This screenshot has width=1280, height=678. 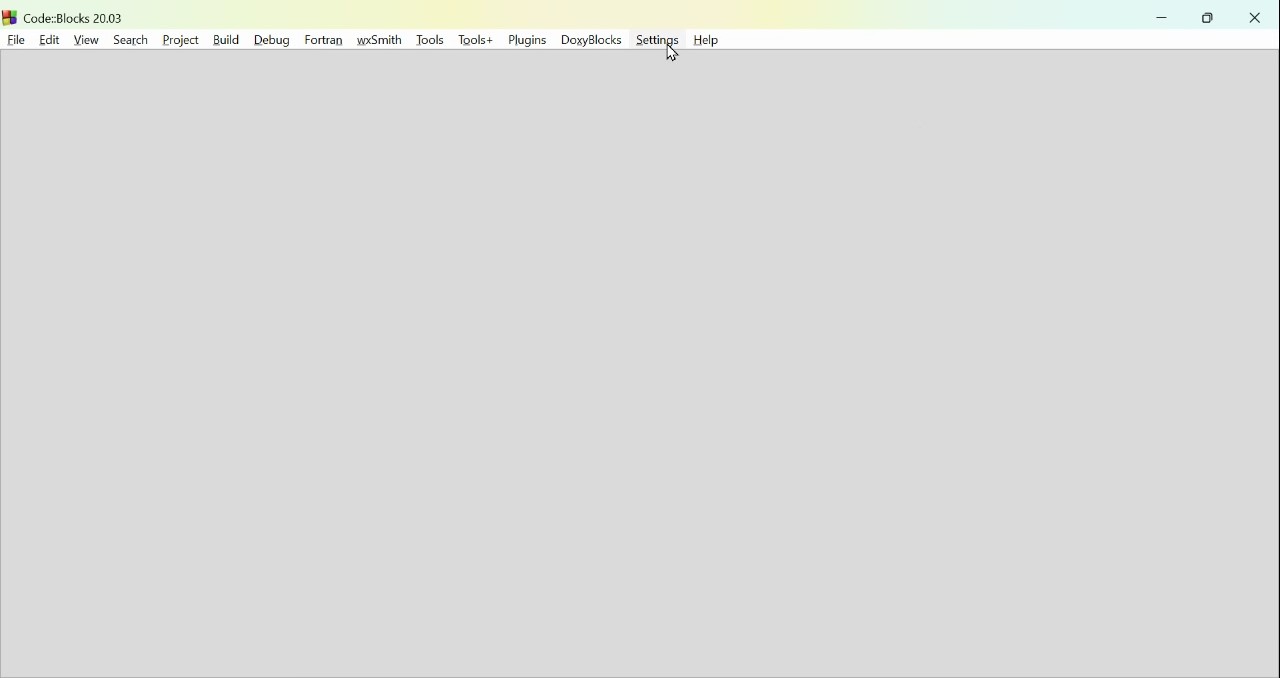 What do you see at coordinates (224, 39) in the screenshot?
I see `build` at bounding box center [224, 39].